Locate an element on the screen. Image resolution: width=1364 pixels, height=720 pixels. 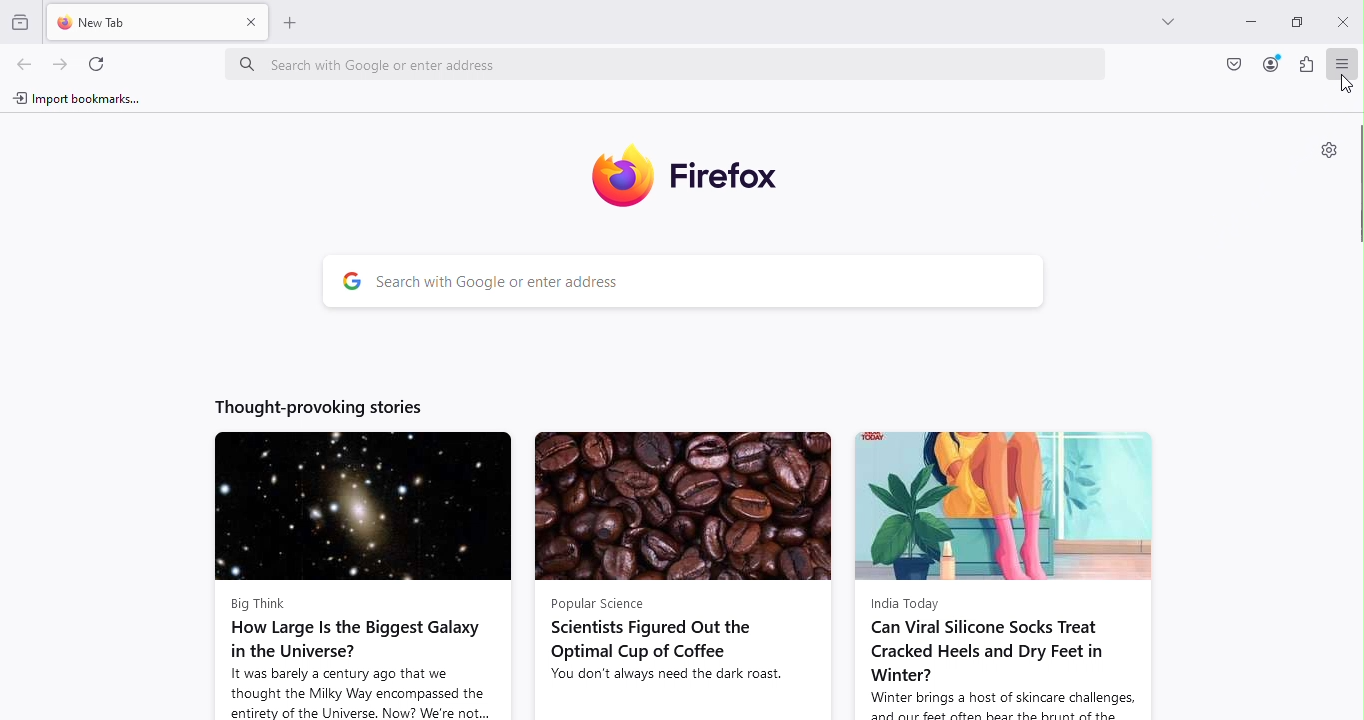
Close is located at coordinates (1342, 21).